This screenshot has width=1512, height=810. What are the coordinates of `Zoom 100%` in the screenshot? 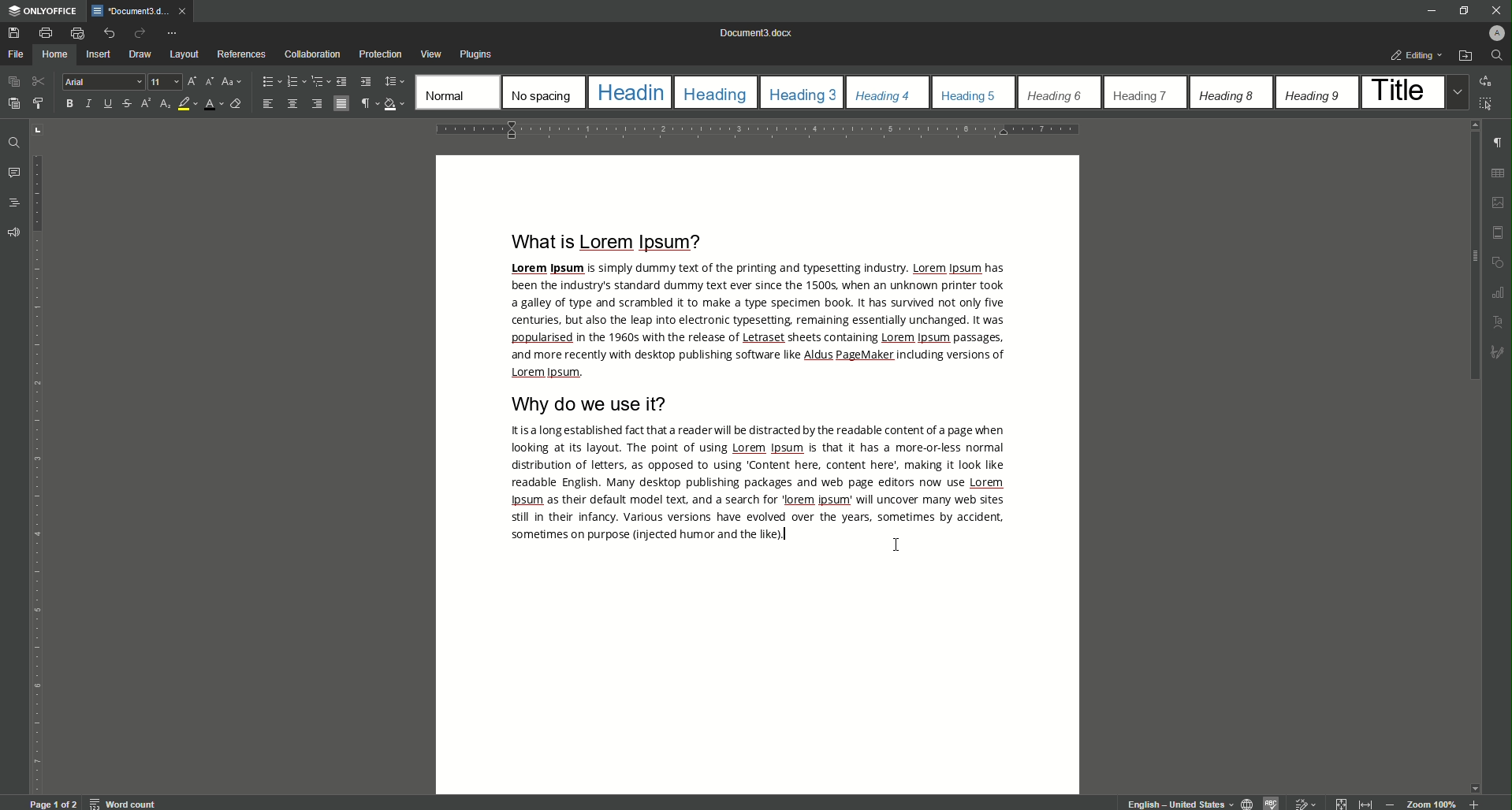 It's located at (1431, 804).